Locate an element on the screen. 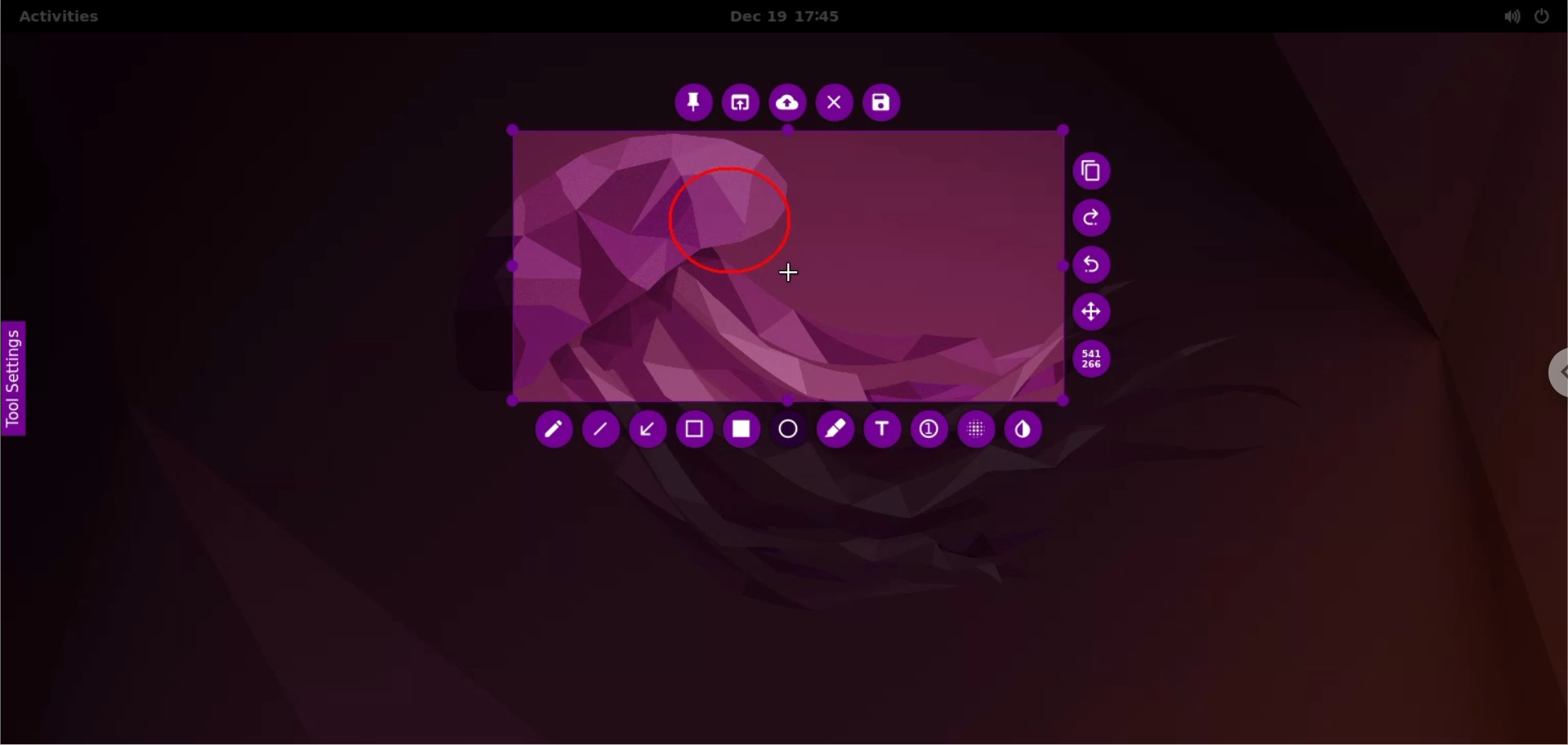 This screenshot has height=745, width=1568. copy to clipboard is located at coordinates (1096, 173).